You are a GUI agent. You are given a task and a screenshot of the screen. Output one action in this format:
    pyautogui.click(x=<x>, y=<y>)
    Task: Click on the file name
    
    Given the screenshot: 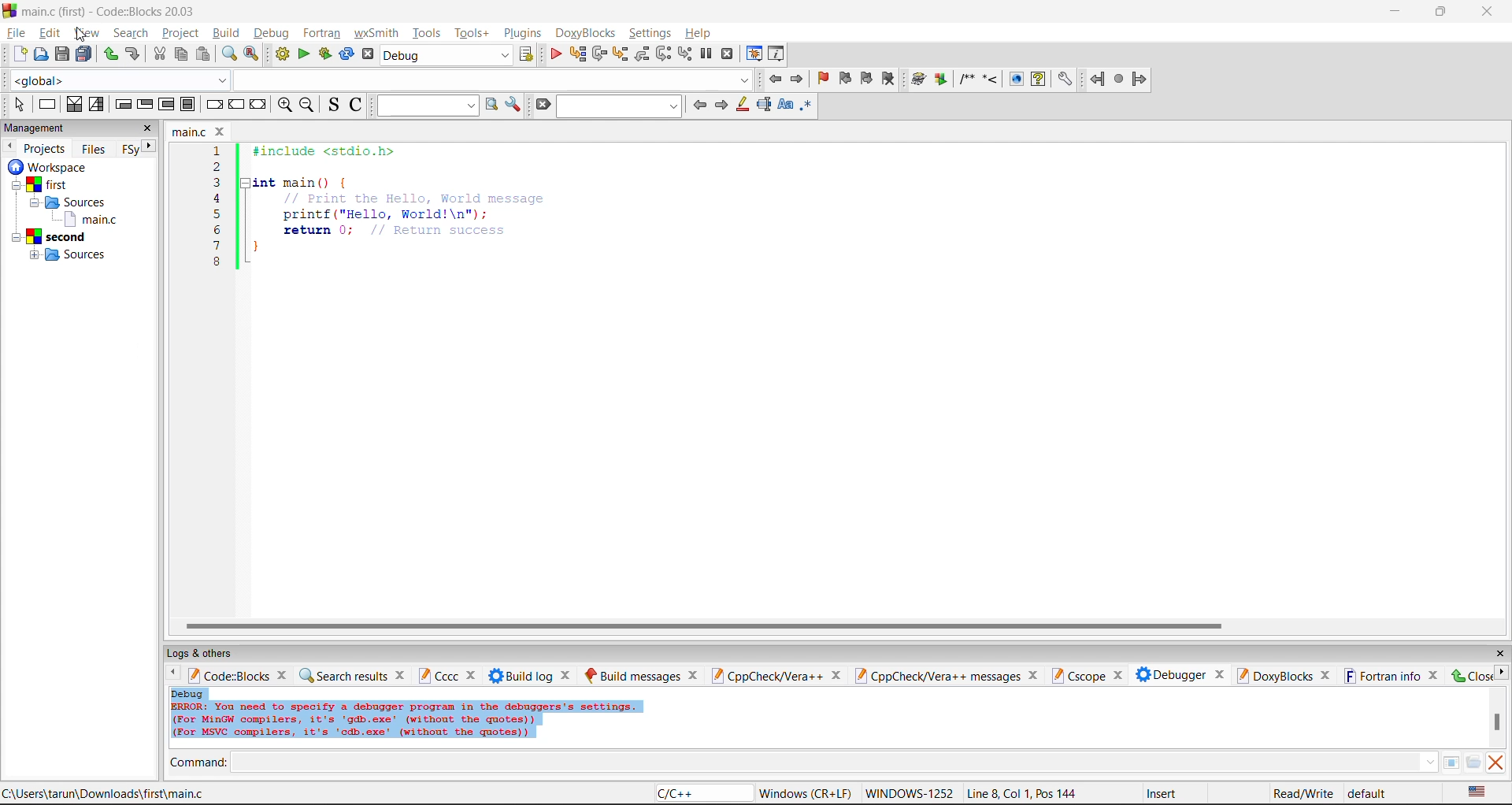 What is the action you would take?
    pyautogui.click(x=197, y=131)
    